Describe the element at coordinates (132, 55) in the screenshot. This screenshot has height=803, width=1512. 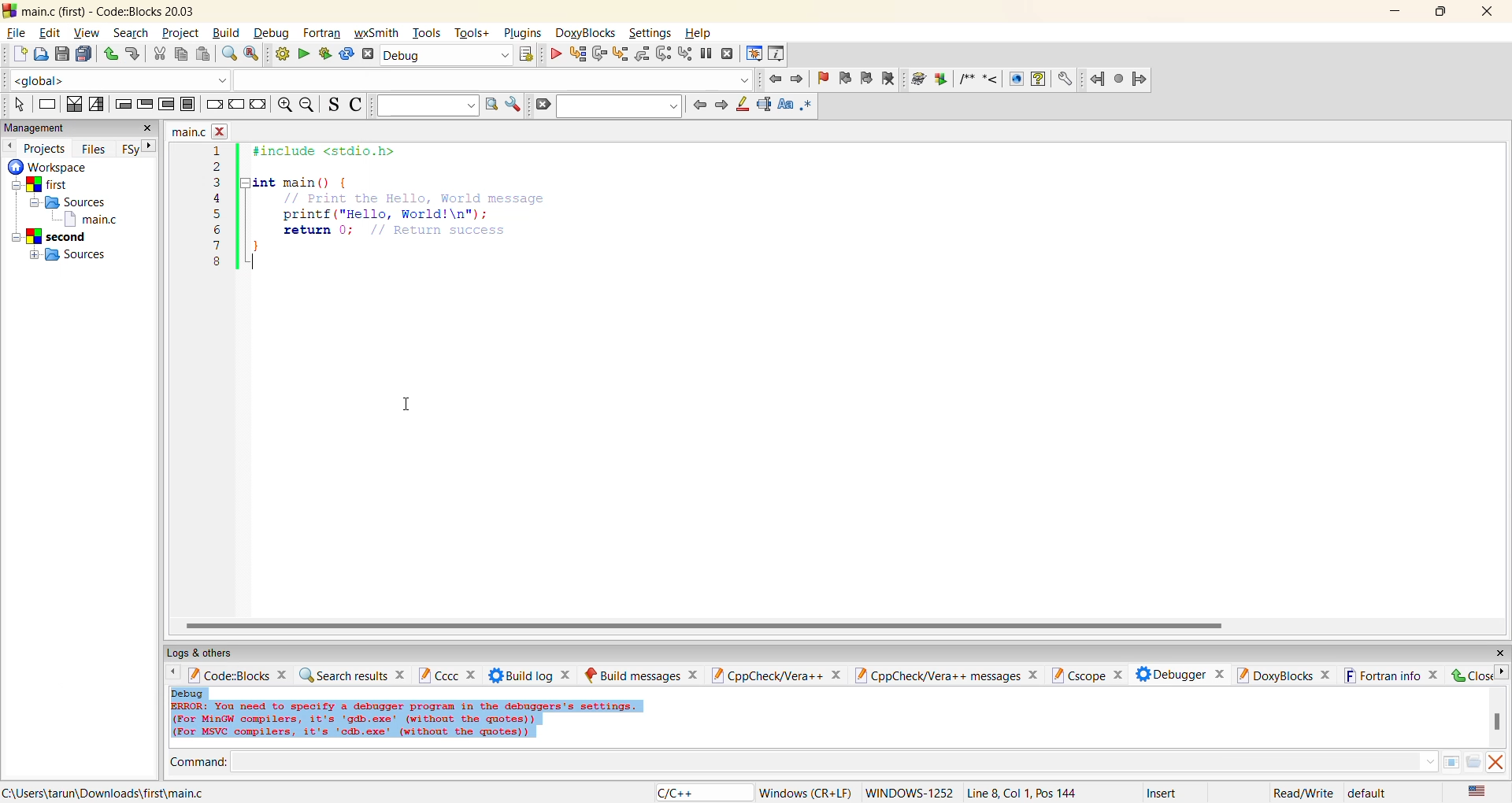
I see `redo` at that location.